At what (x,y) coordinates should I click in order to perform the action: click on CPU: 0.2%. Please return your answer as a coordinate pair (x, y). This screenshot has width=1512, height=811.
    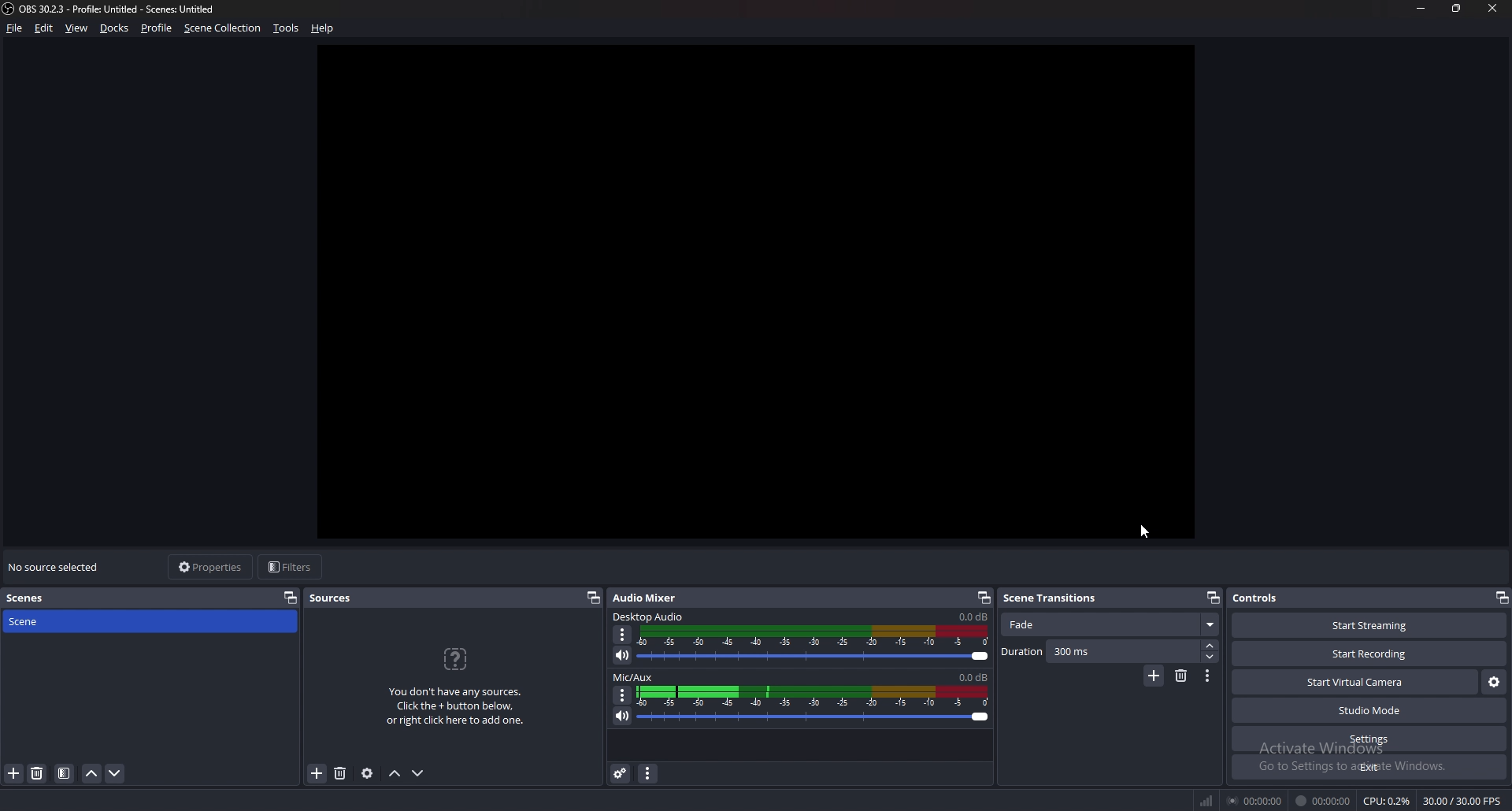
    Looking at the image, I should click on (1387, 802).